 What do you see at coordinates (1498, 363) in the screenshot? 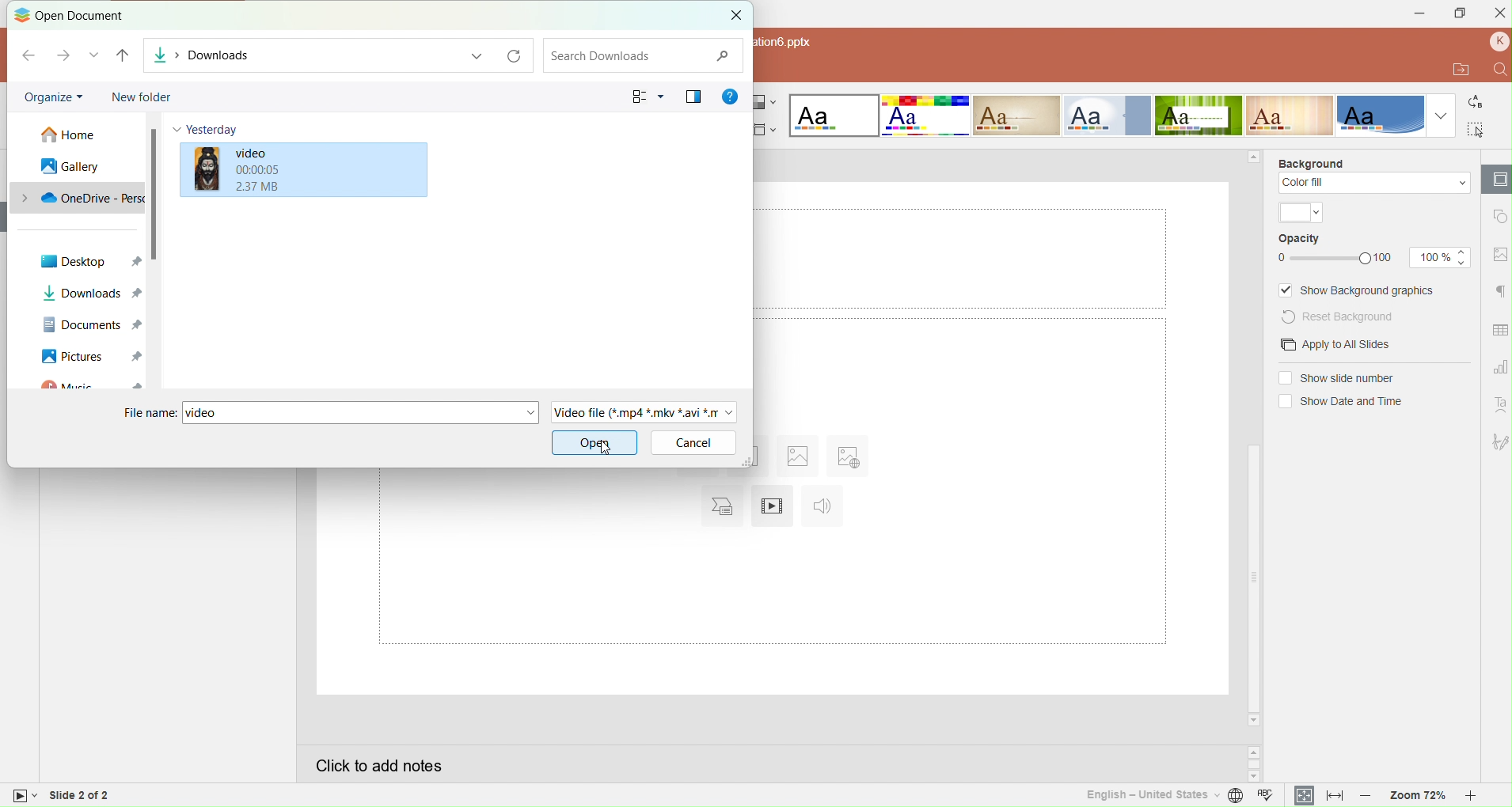
I see `Chart setting` at bounding box center [1498, 363].